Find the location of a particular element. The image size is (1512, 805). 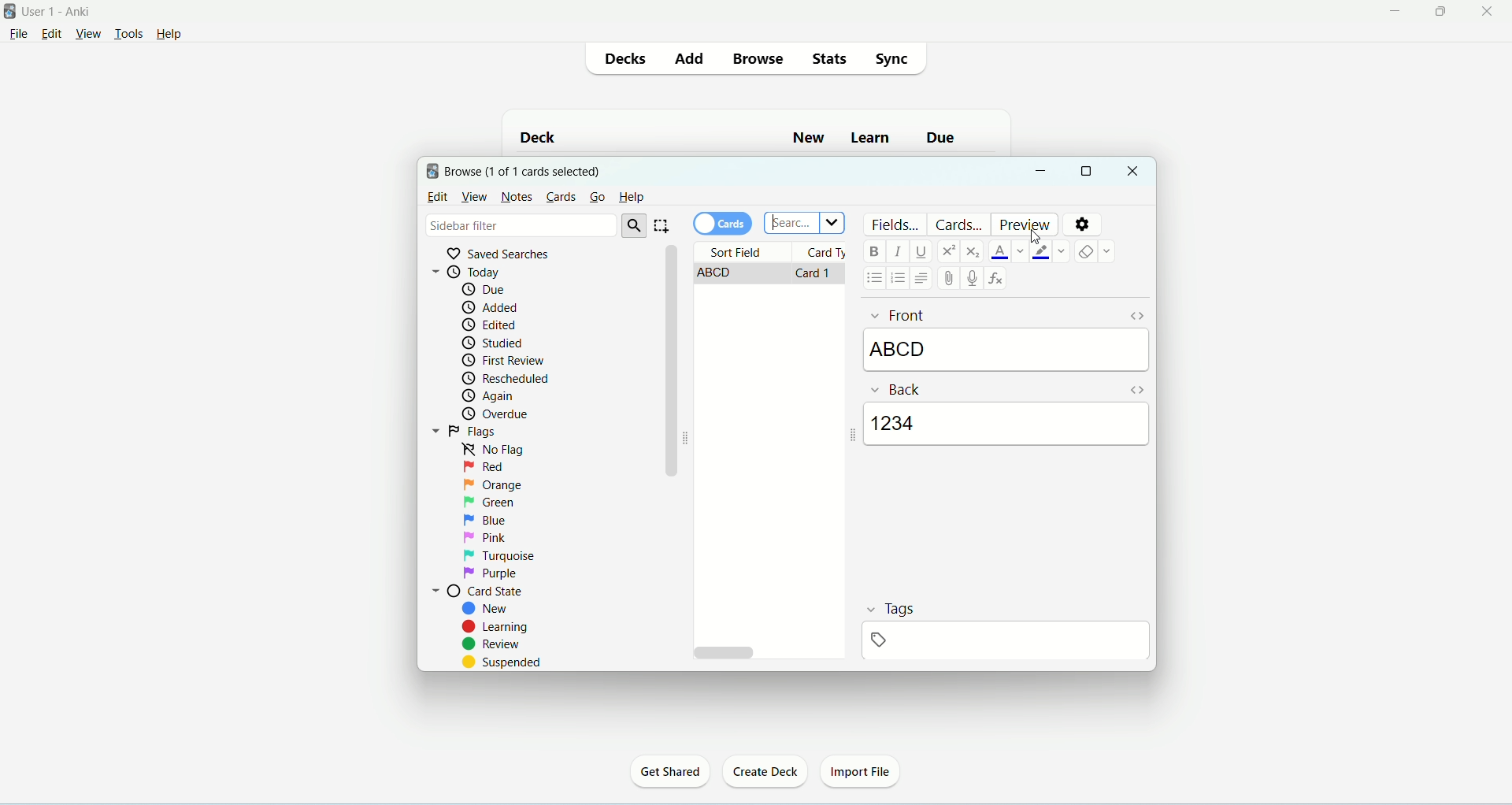

crop is located at coordinates (663, 224).